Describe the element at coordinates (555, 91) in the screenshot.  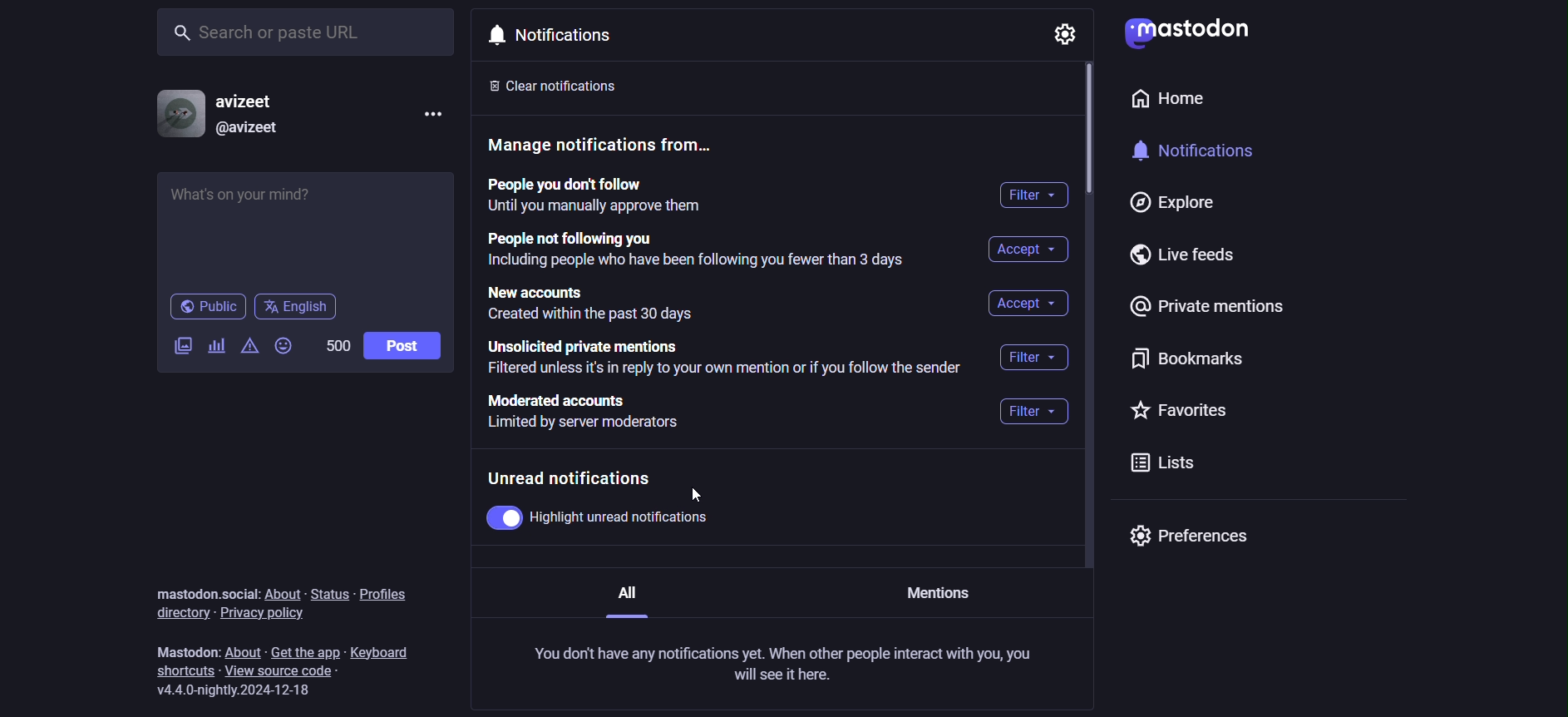
I see `clear notification` at that location.